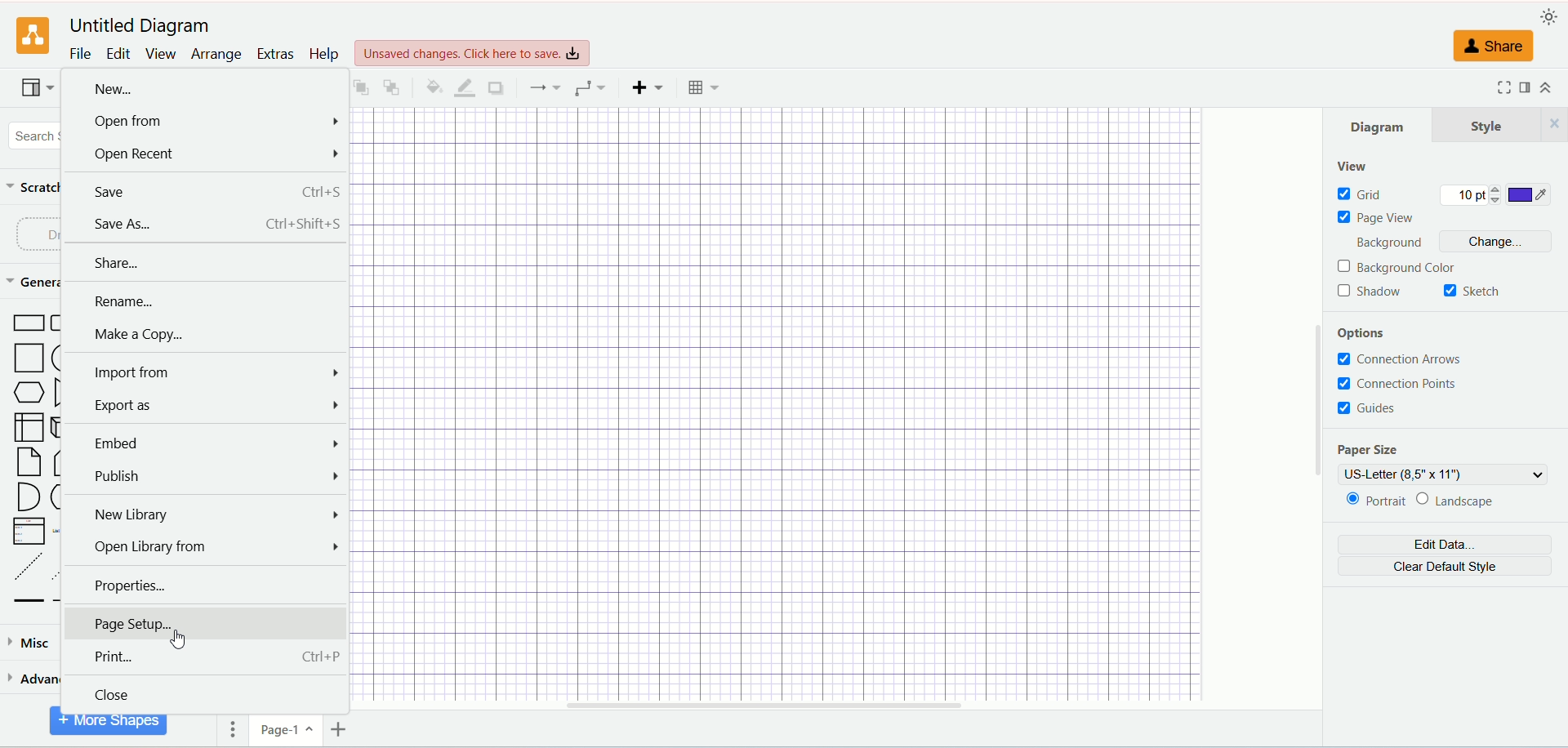 The image size is (1568, 748). I want to click on embed, so click(207, 443).